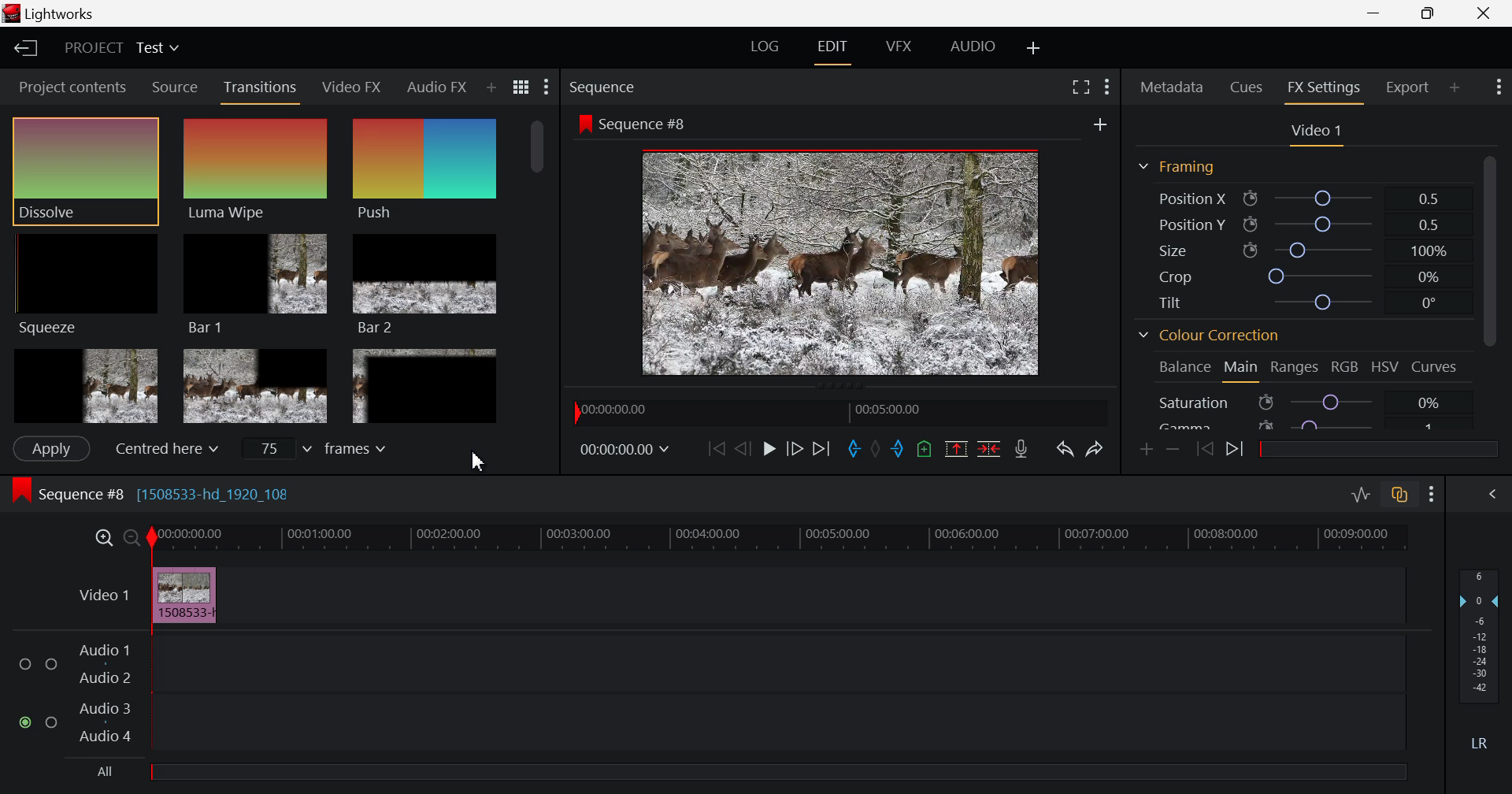 Image resolution: width=1512 pixels, height=794 pixels. Describe the element at coordinates (1399, 495) in the screenshot. I see `Toggle auto track sync` at that location.